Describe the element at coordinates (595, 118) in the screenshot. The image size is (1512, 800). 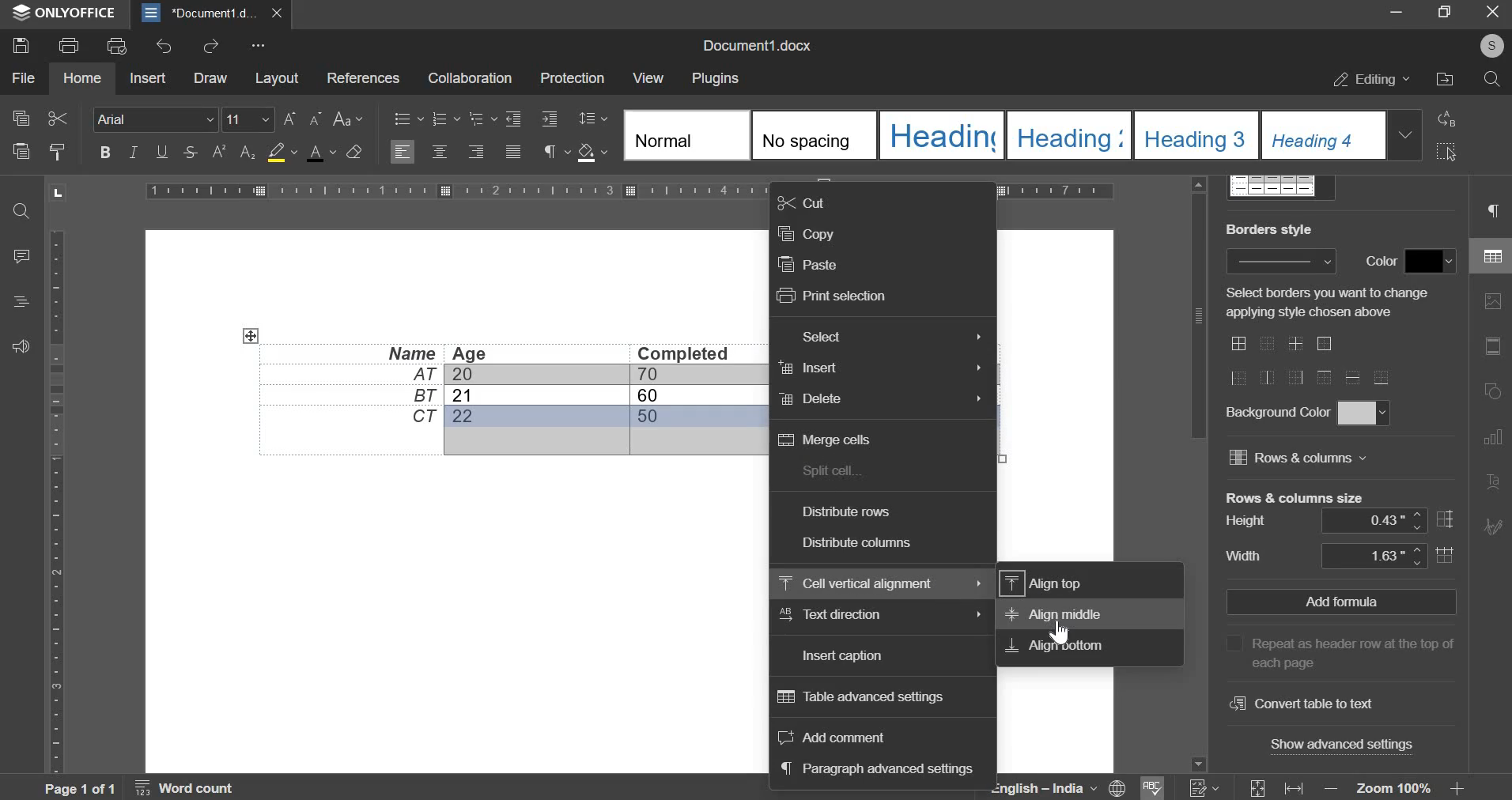
I see `paragraph line spacing` at that location.